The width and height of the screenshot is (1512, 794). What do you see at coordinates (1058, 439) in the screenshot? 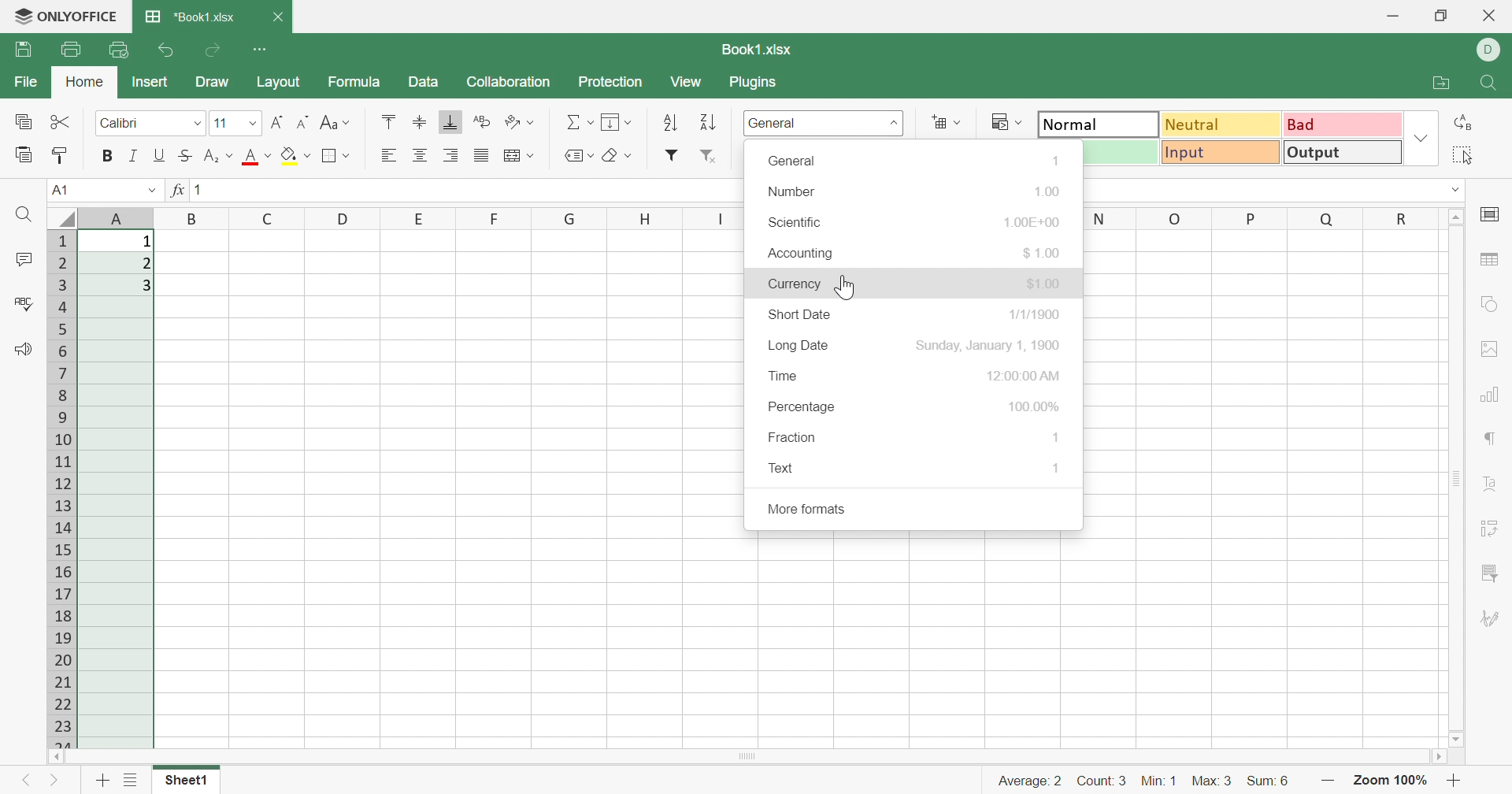
I see `1` at bounding box center [1058, 439].